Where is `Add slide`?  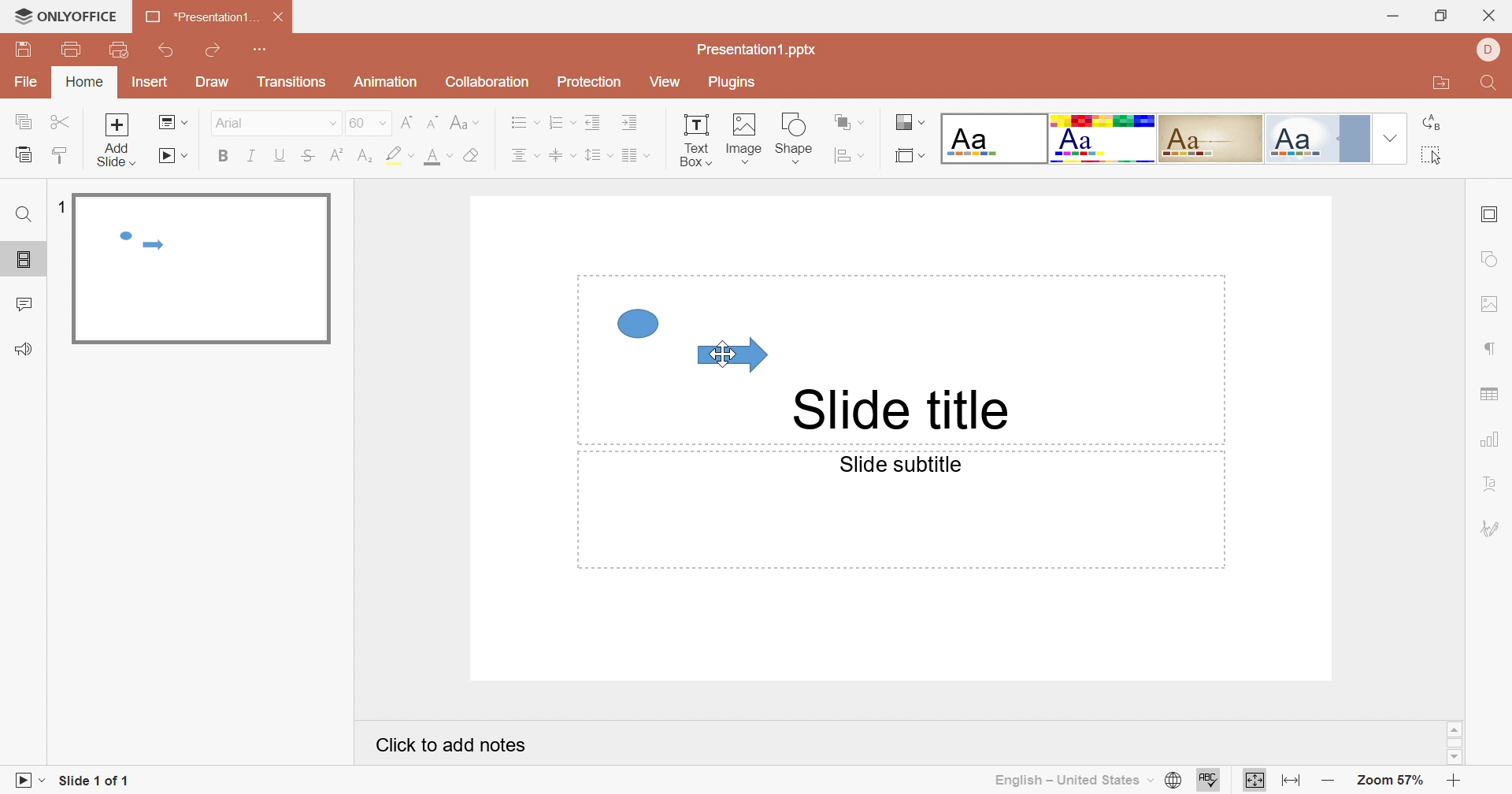 Add slide is located at coordinates (115, 142).